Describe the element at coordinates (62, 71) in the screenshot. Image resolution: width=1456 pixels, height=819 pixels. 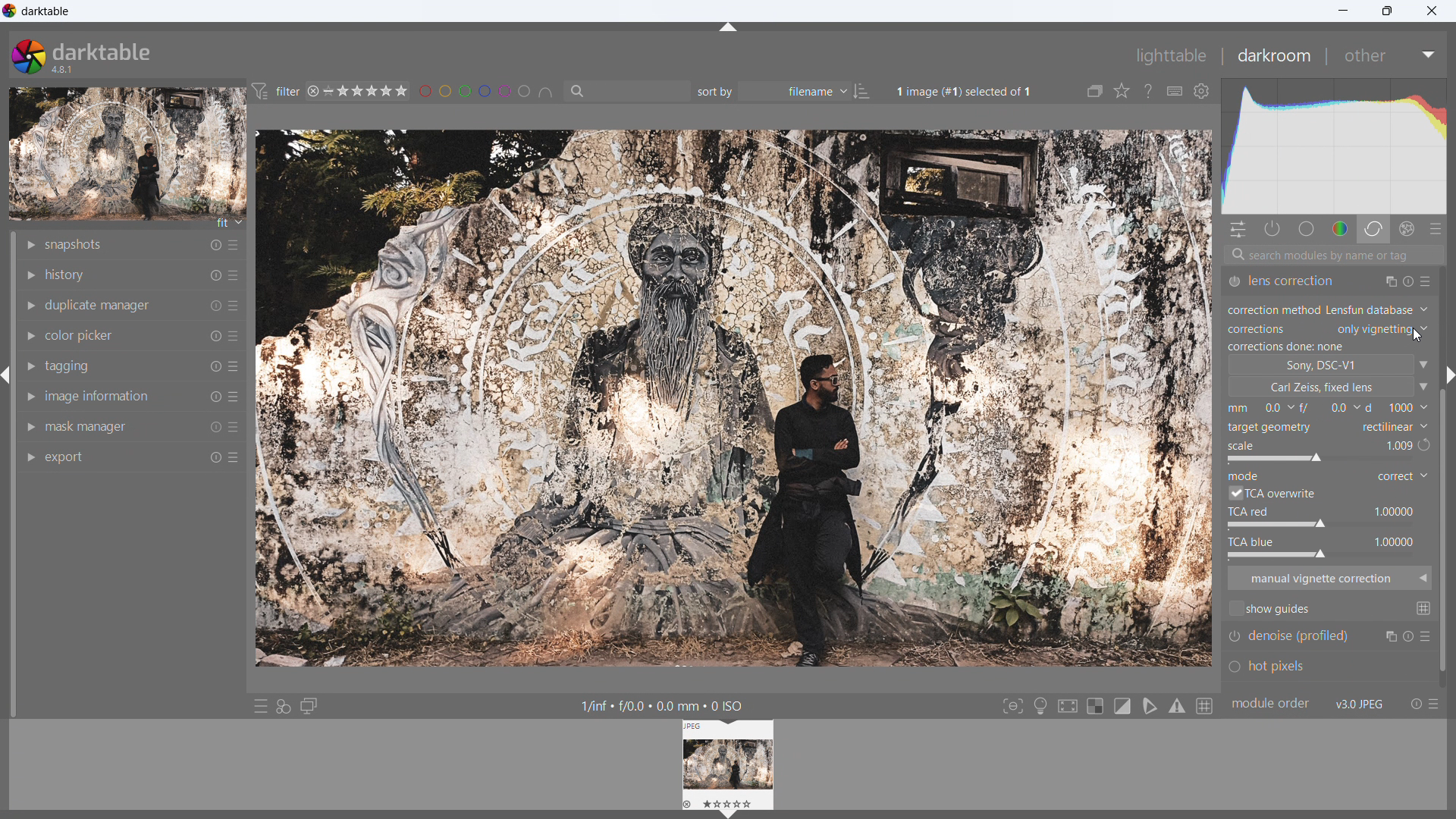
I see `version` at that location.